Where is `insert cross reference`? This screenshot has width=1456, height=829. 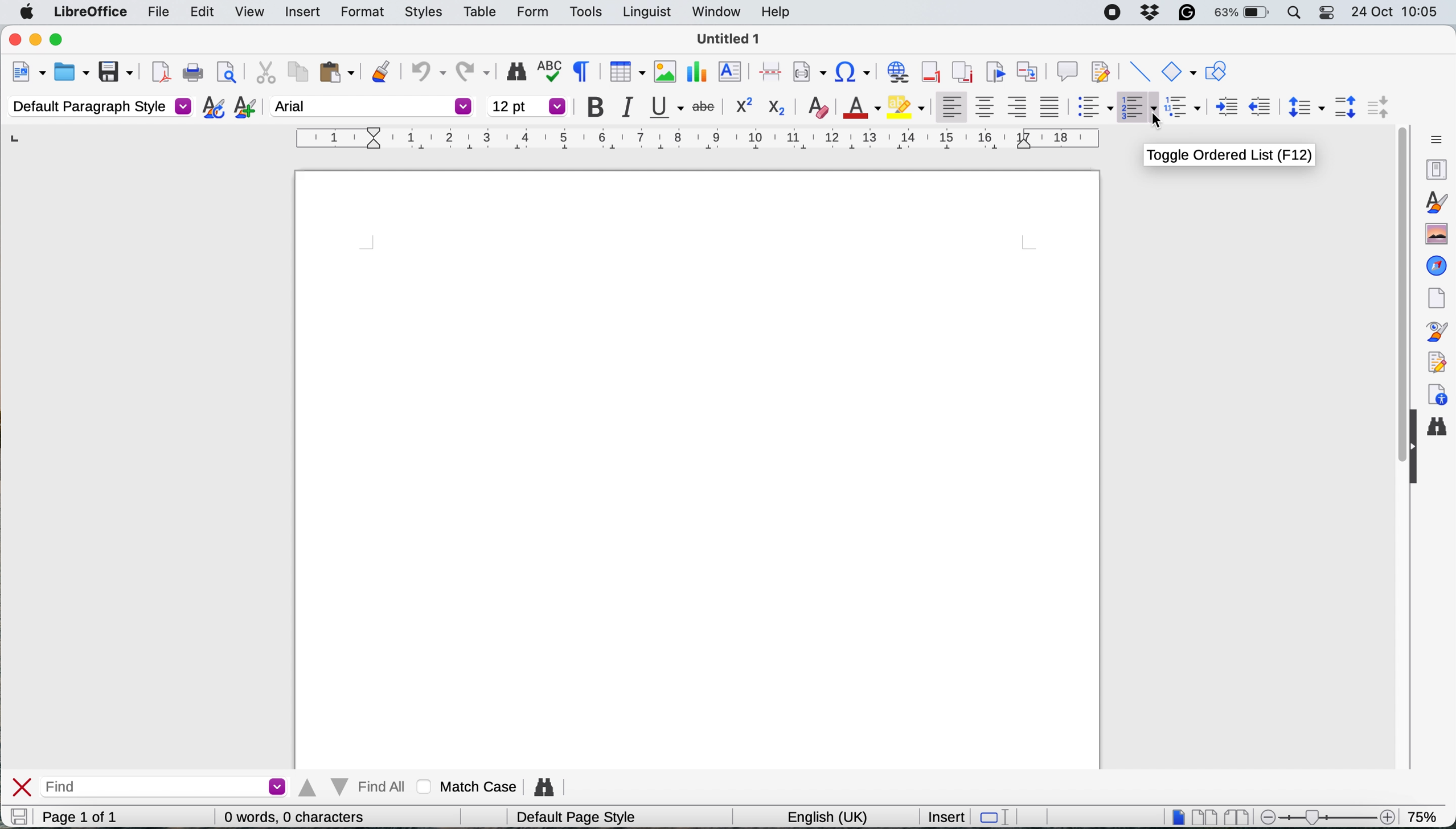 insert cross reference is located at coordinates (1030, 69).